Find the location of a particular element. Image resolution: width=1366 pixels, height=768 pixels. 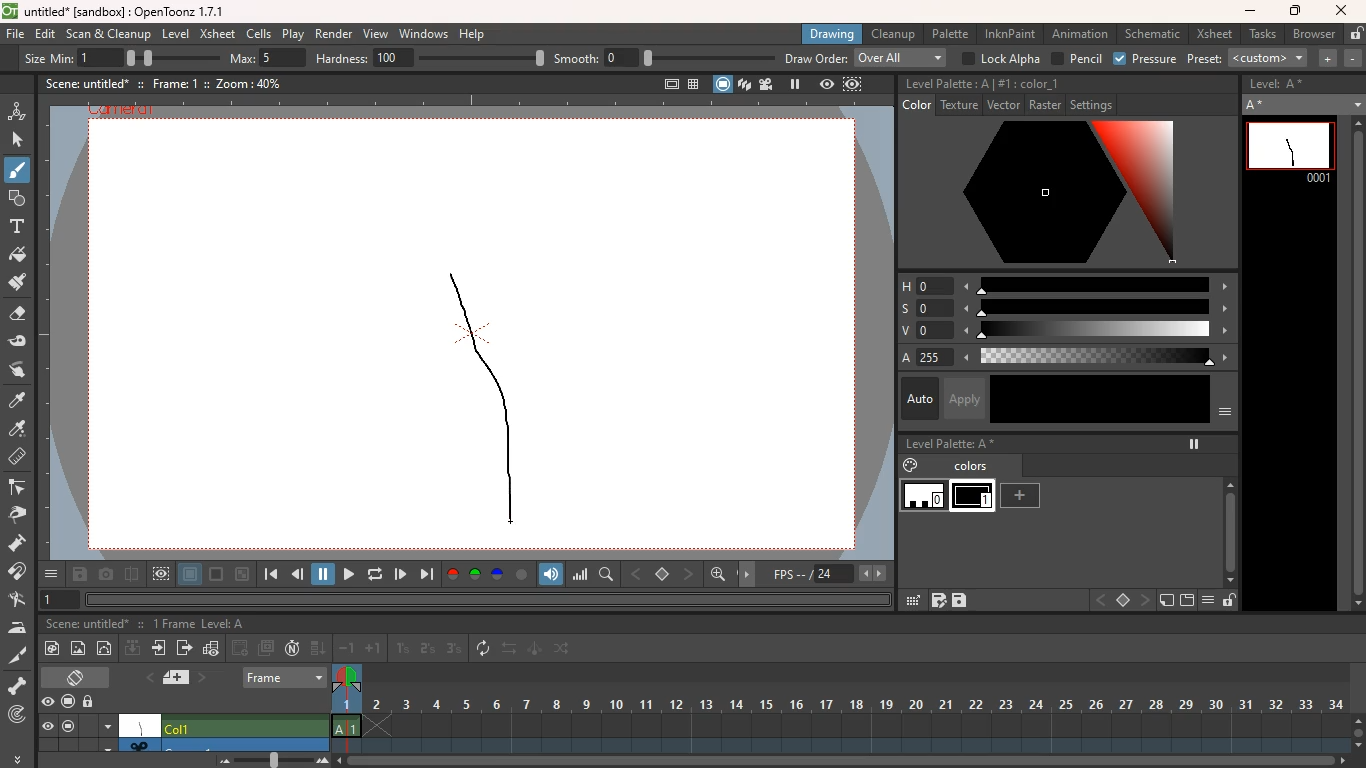

scan & cleanup is located at coordinates (110, 33).